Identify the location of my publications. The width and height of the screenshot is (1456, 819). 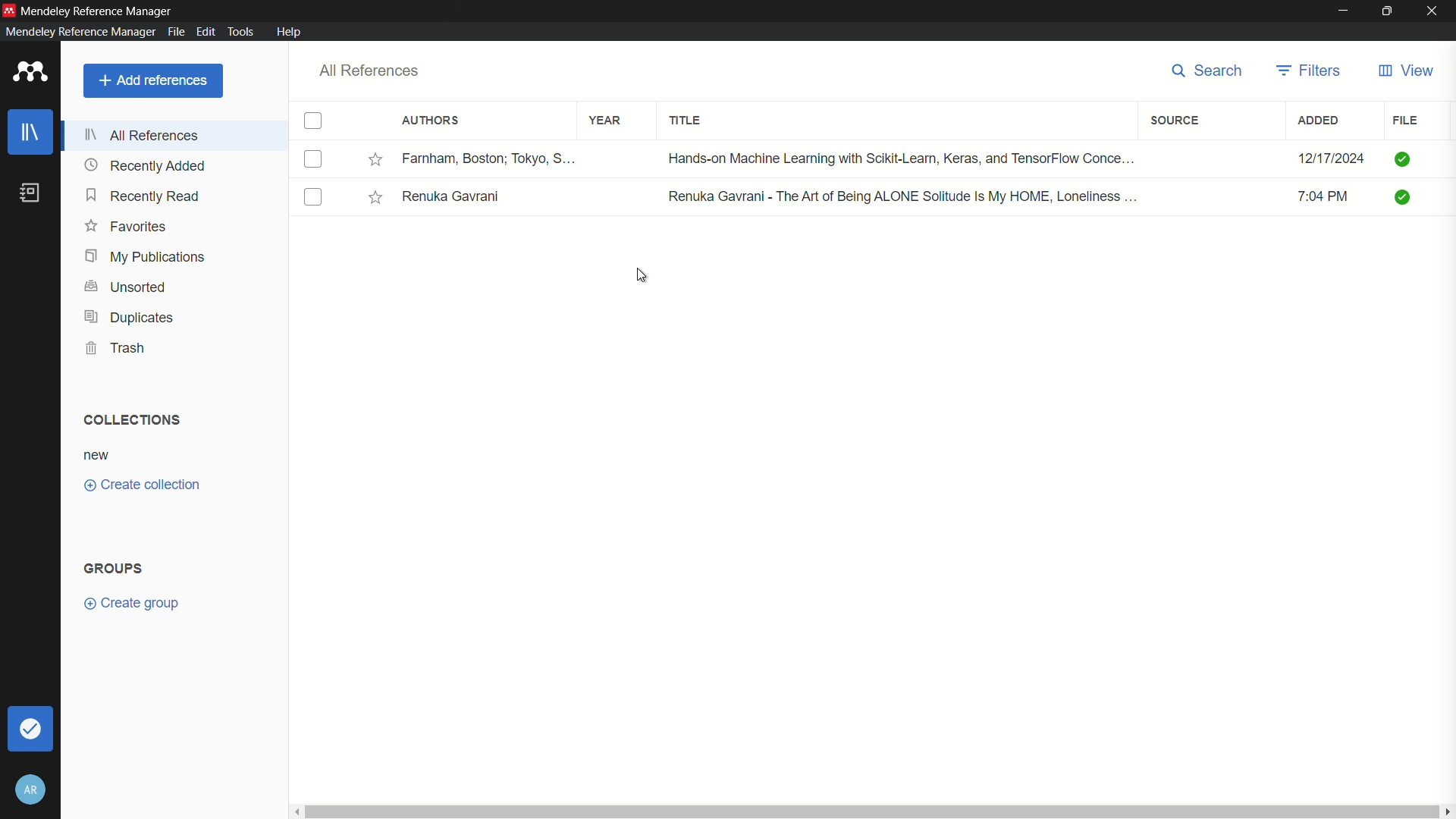
(144, 258).